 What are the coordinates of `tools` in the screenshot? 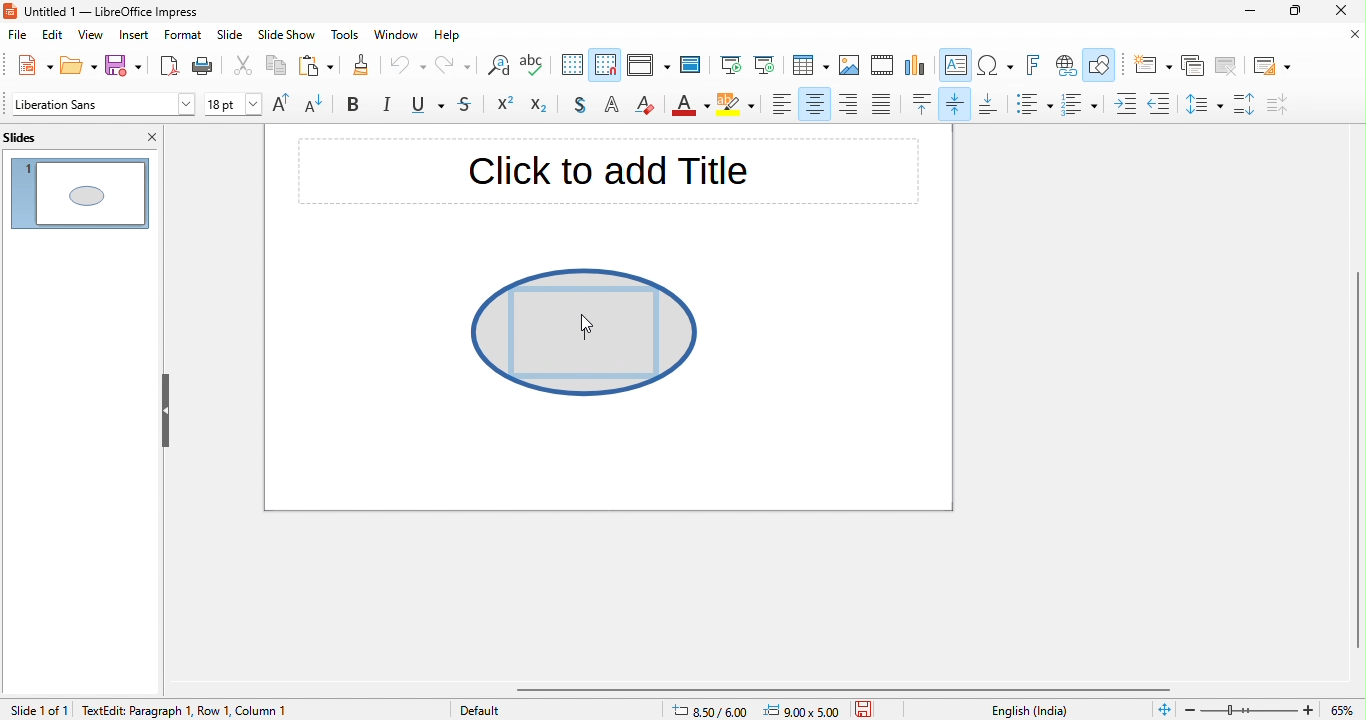 It's located at (343, 36).